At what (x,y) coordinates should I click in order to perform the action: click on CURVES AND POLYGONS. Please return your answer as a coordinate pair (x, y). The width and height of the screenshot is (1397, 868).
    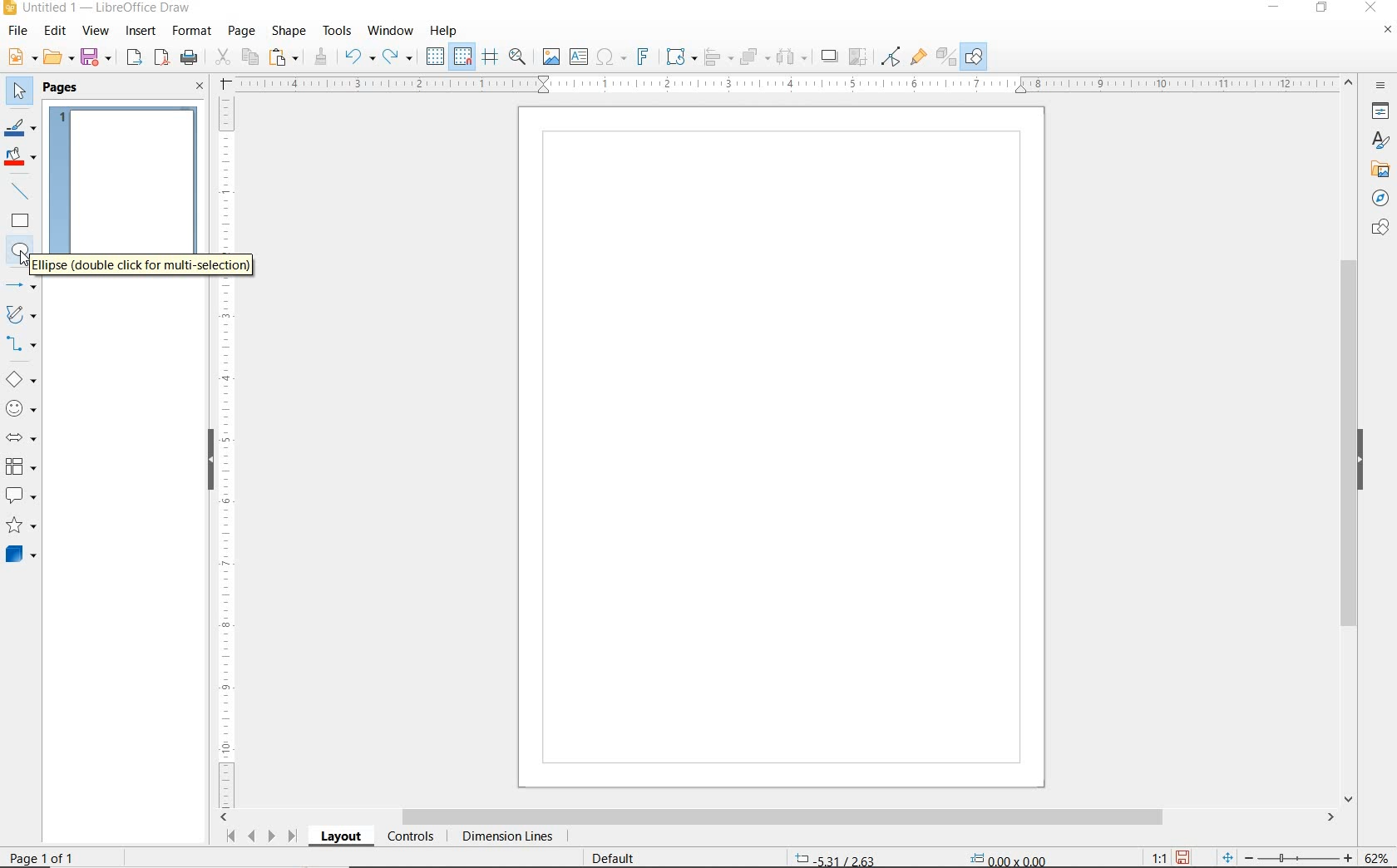
    Looking at the image, I should click on (20, 316).